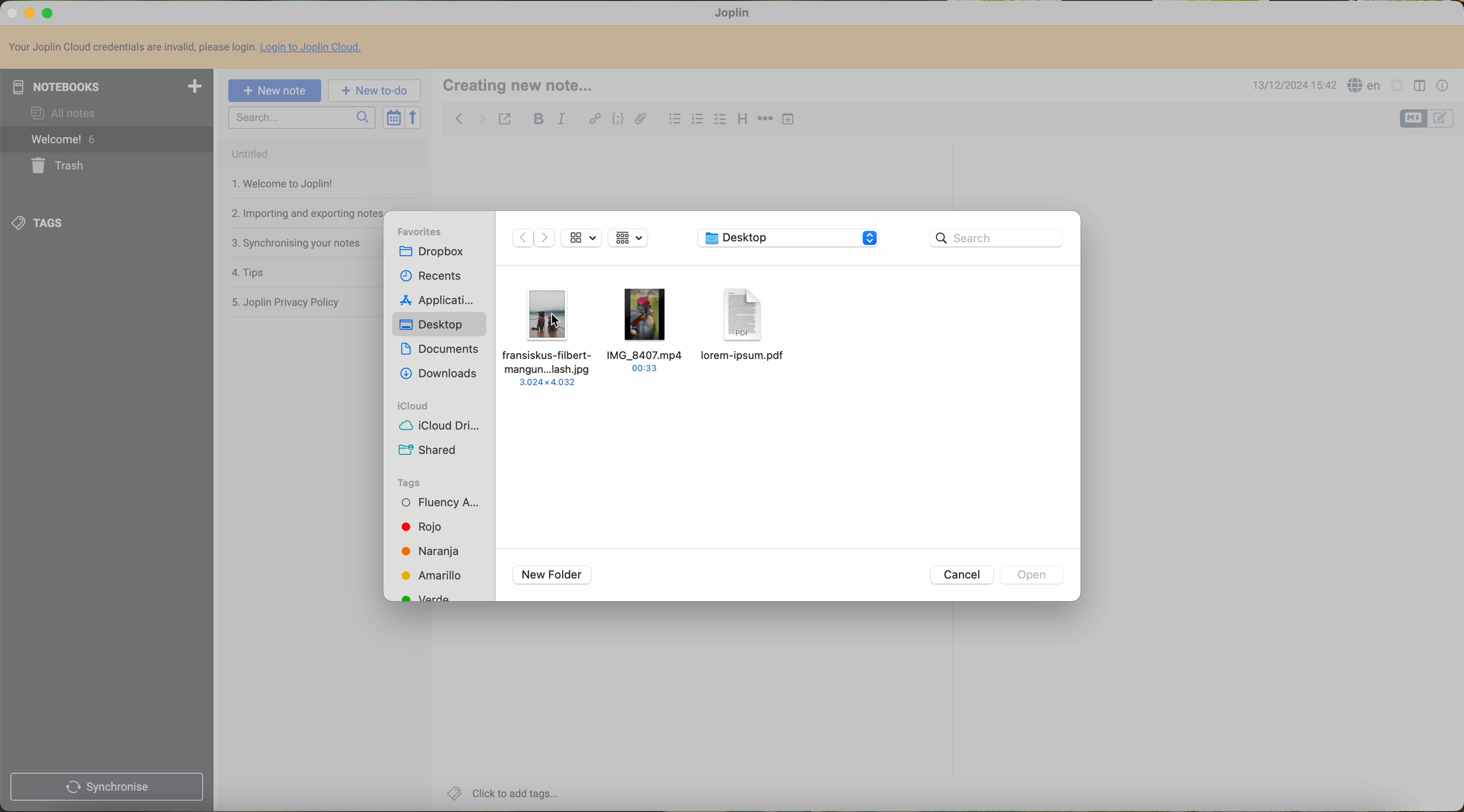  Describe the element at coordinates (439, 502) in the screenshot. I see `fluency tag` at that location.